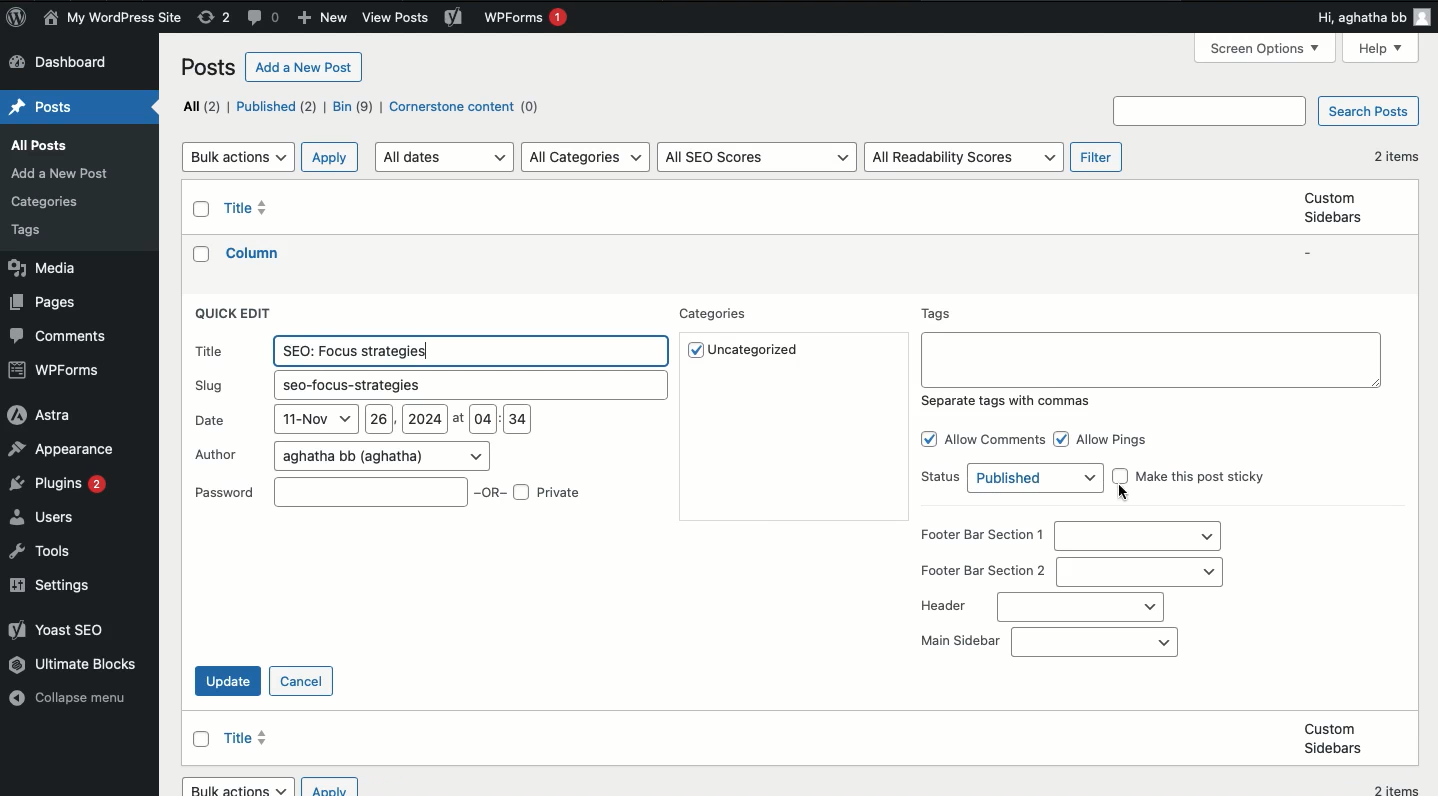 This screenshot has width=1438, height=796. I want to click on Checkbox, so click(1121, 476).